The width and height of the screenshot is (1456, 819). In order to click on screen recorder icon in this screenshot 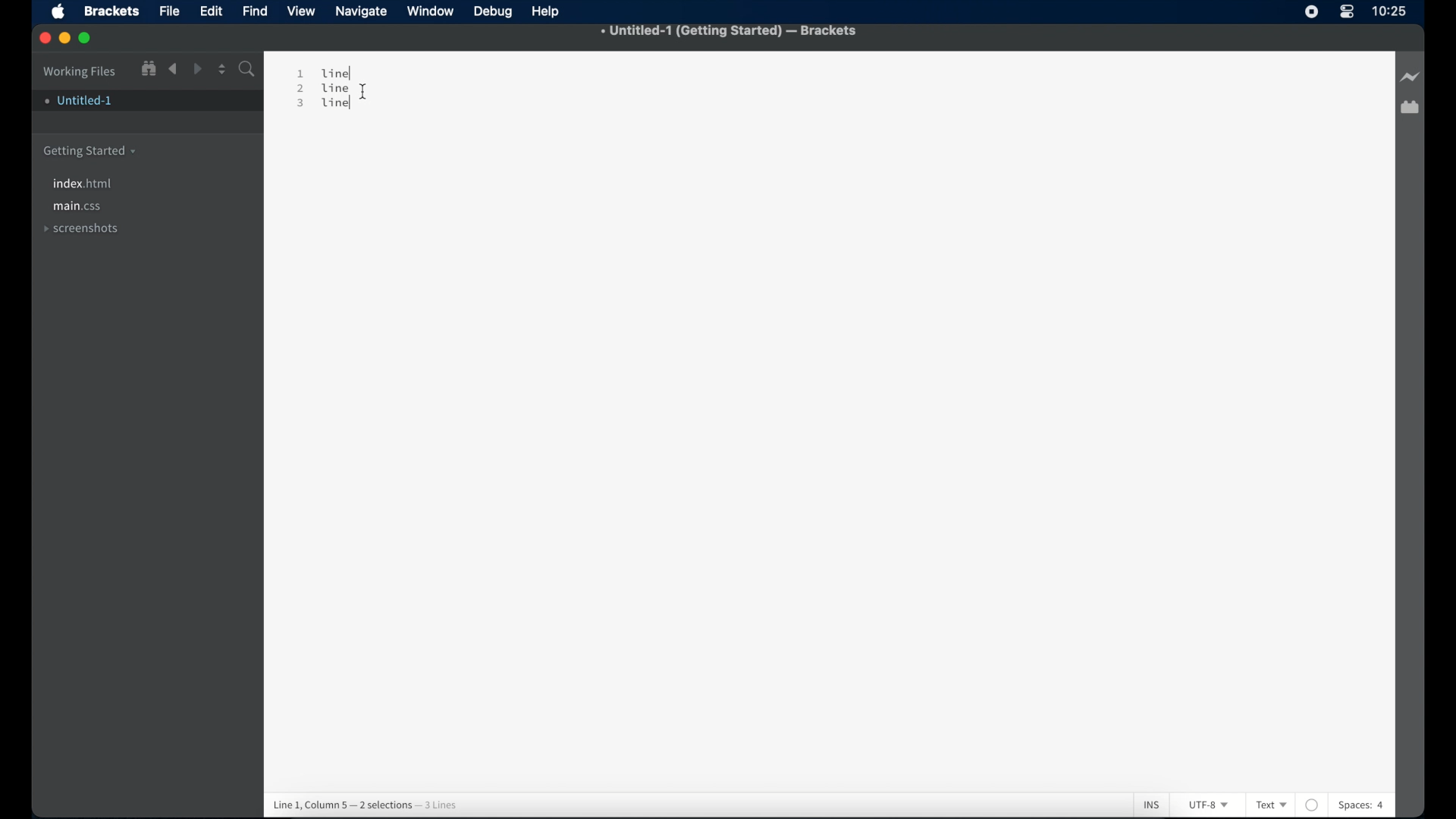, I will do `click(1309, 11)`.